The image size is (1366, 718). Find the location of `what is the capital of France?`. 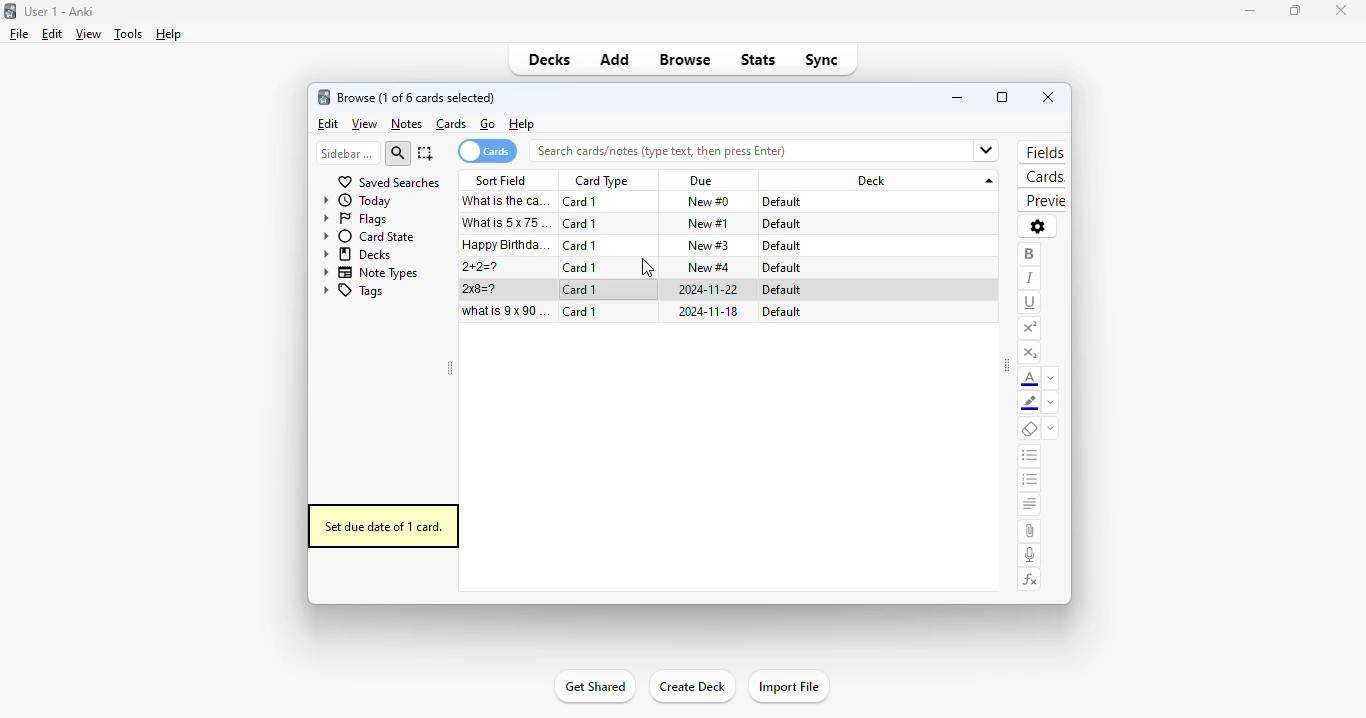

what is the capital of France? is located at coordinates (506, 201).